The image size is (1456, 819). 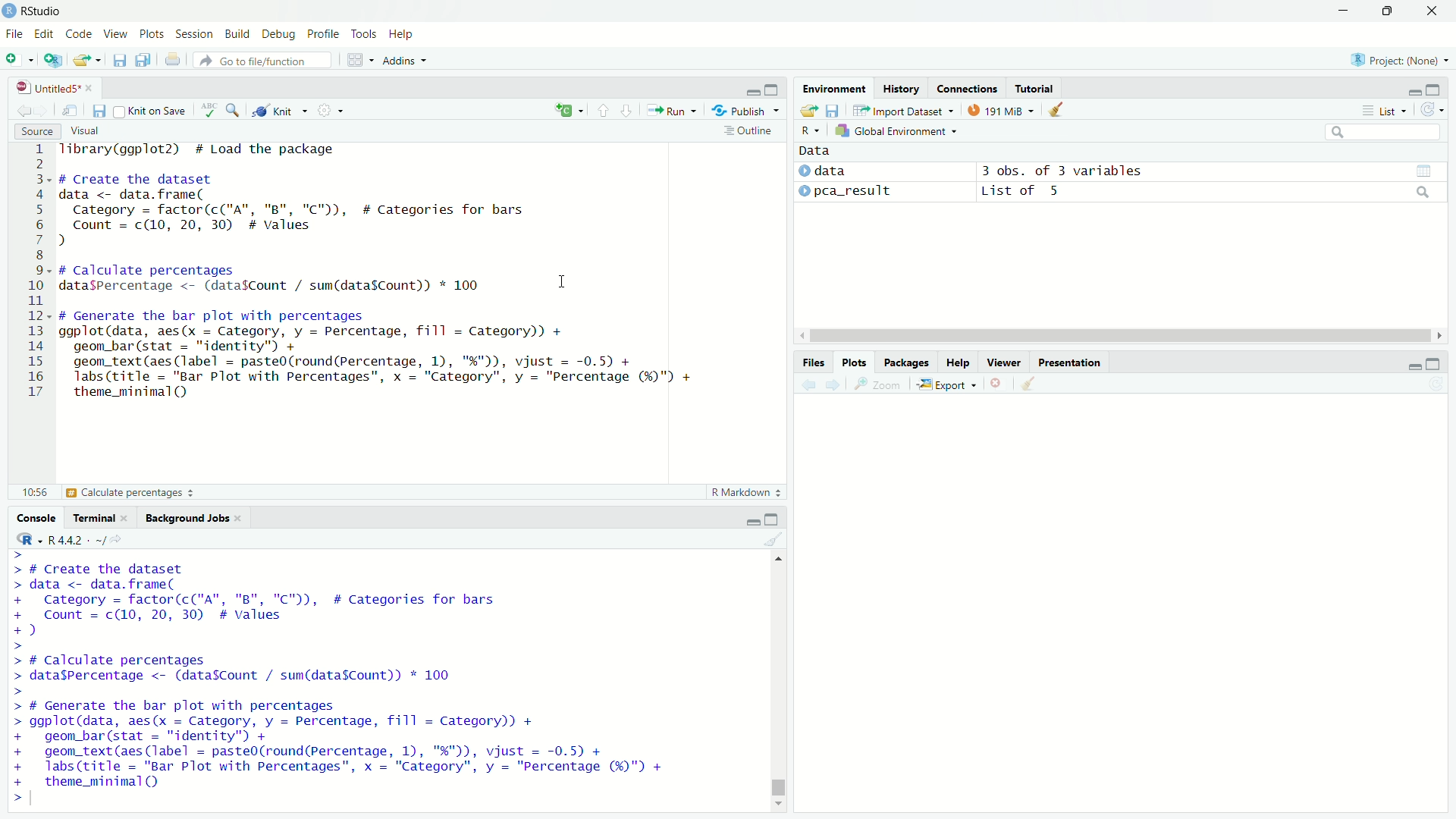 I want to click on help, so click(x=958, y=362).